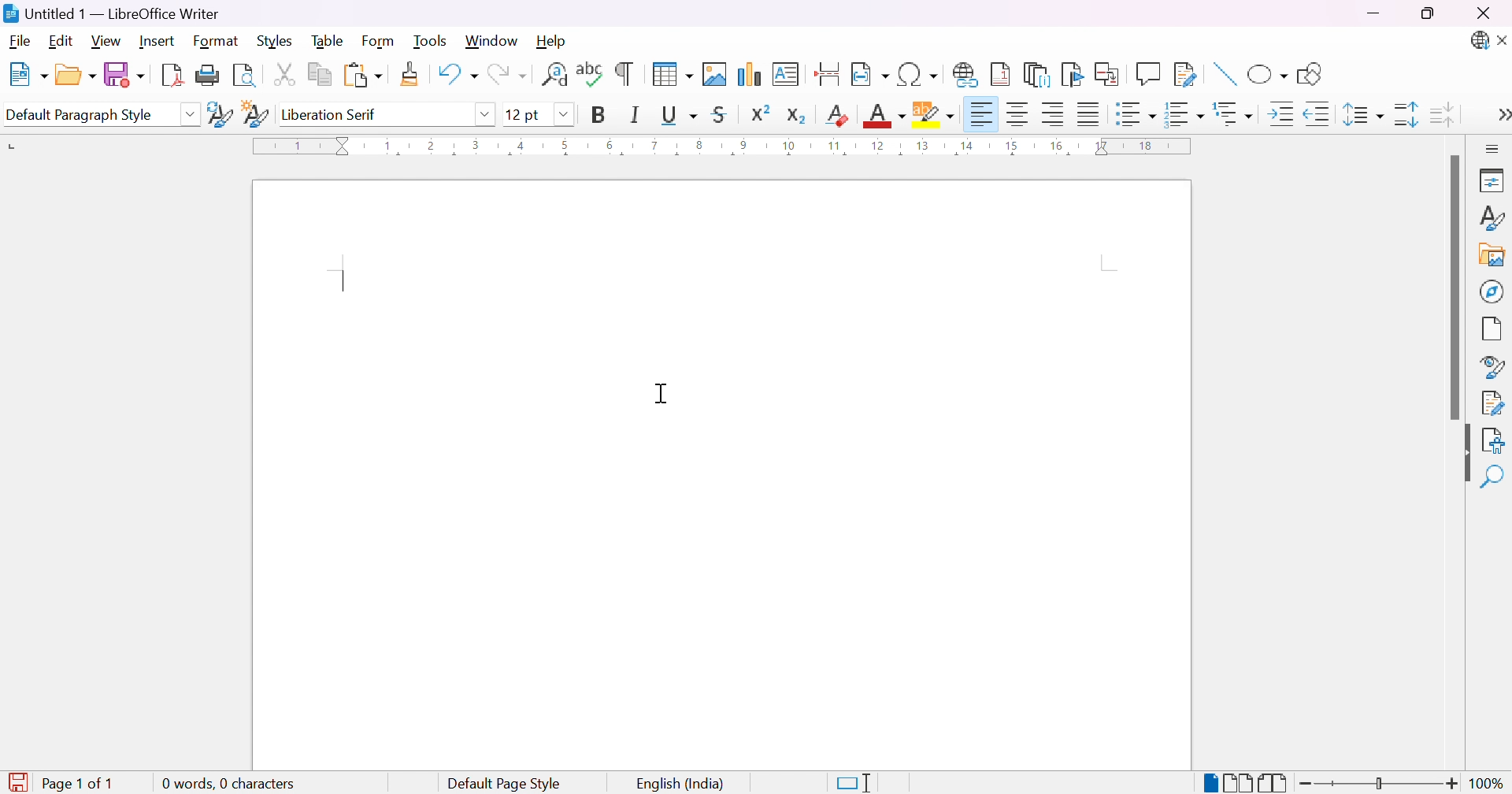 The width and height of the screenshot is (1512, 794). What do you see at coordinates (157, 41) in the screenshot?
I see `Insert` at bounding box center [157, 41].